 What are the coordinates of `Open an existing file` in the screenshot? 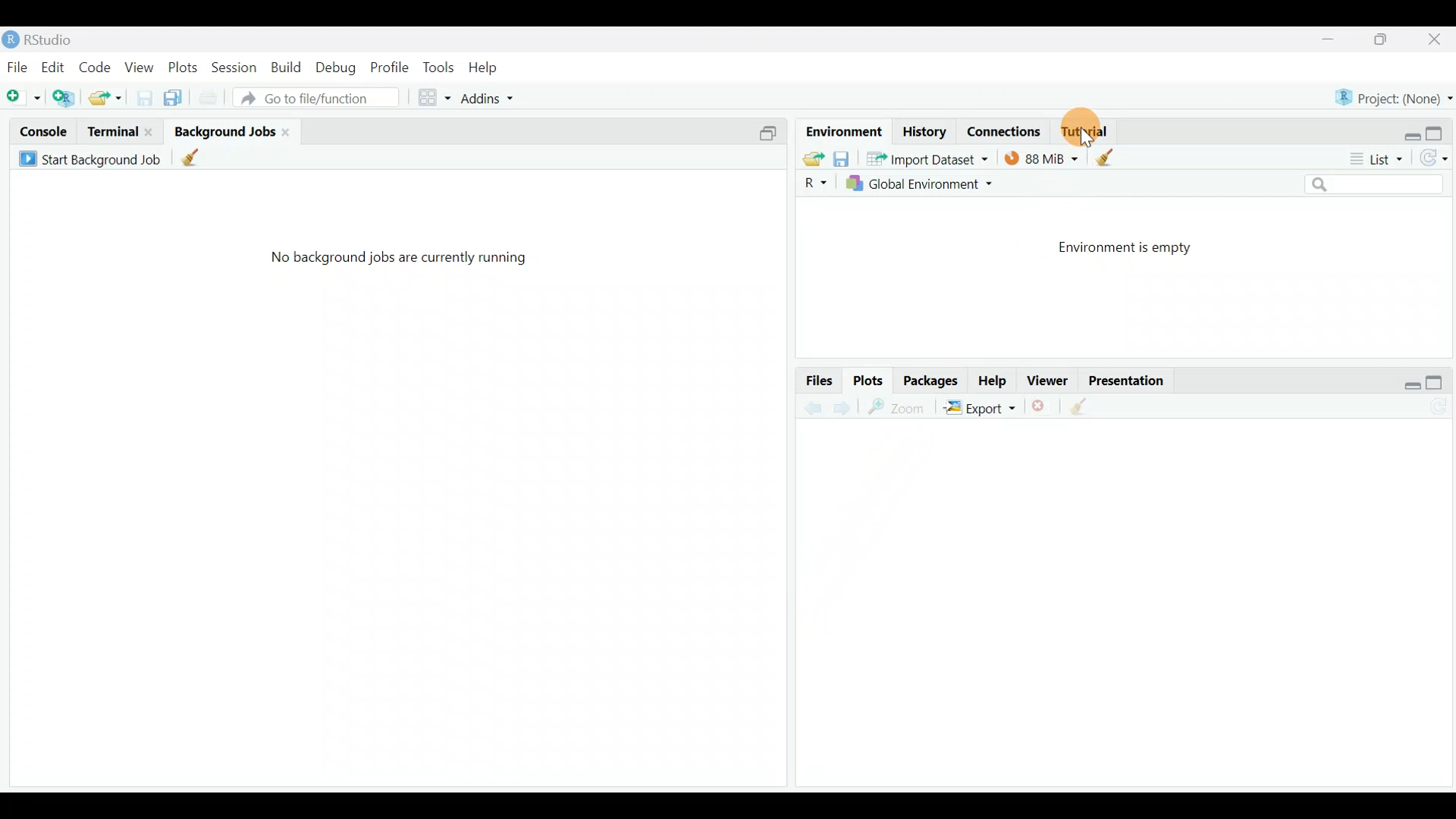 It's located at (105, 96).